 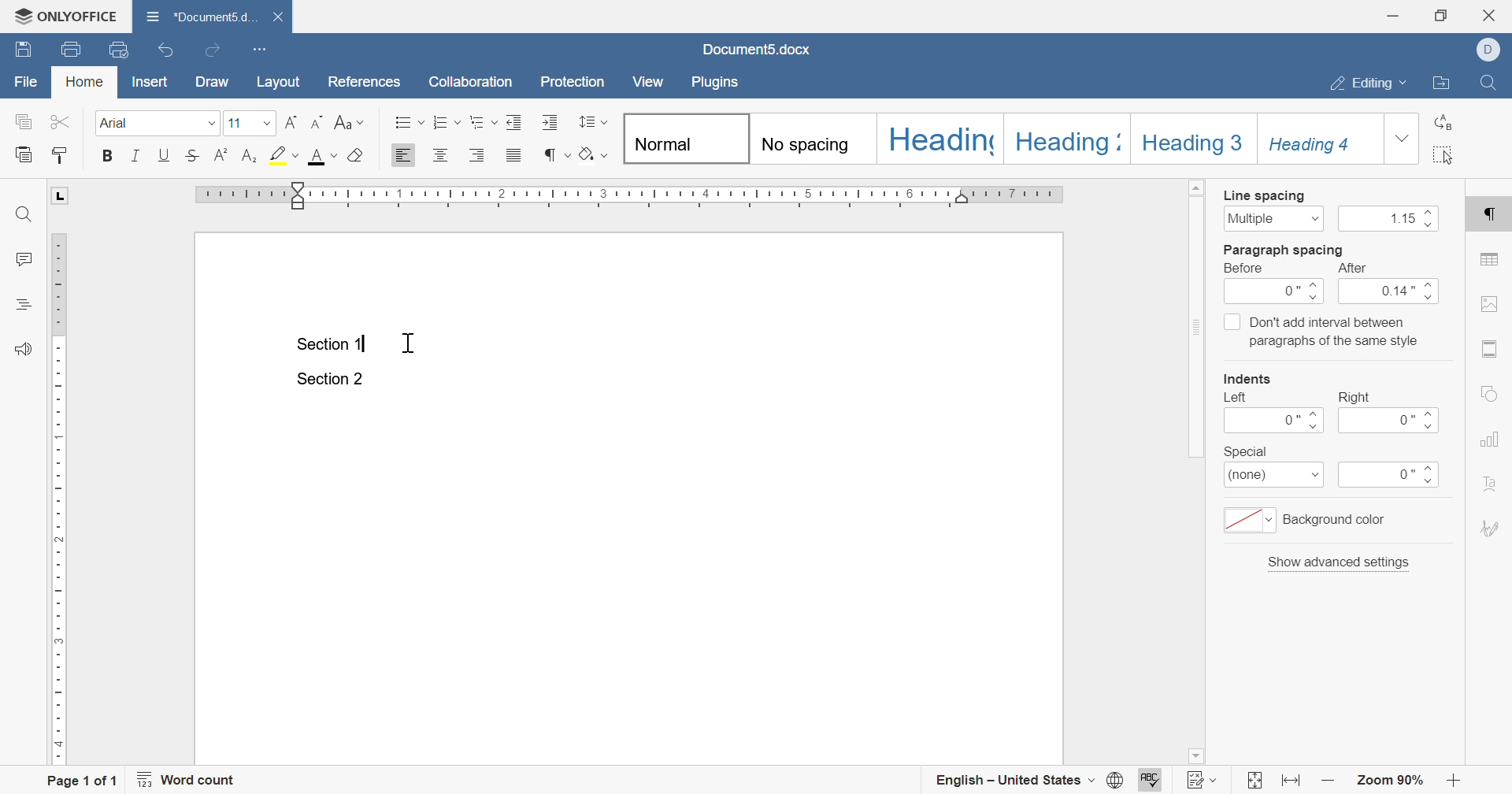 I want to click on (none), so click(x=1275, y=477).